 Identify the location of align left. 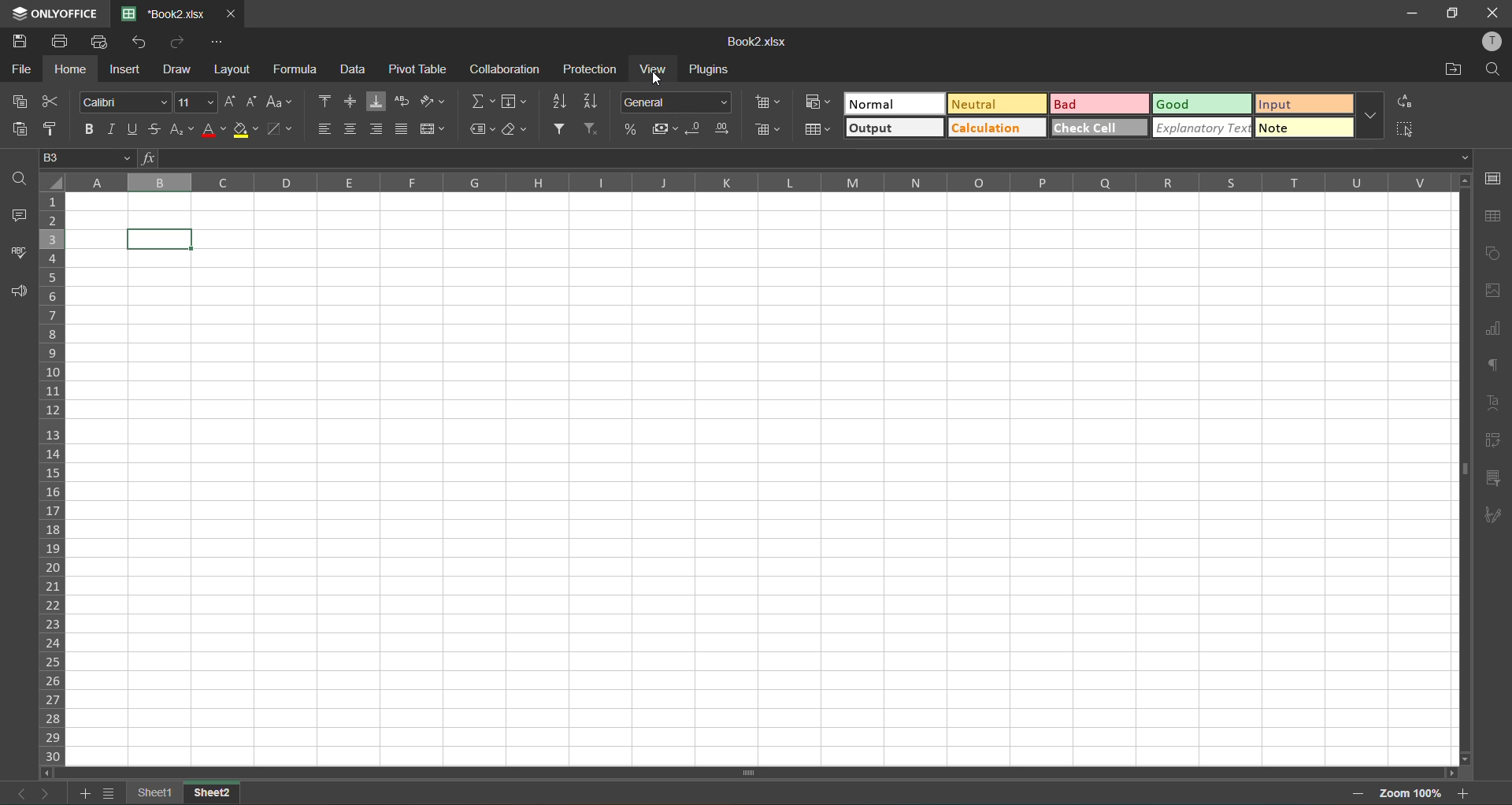
(324, 128).